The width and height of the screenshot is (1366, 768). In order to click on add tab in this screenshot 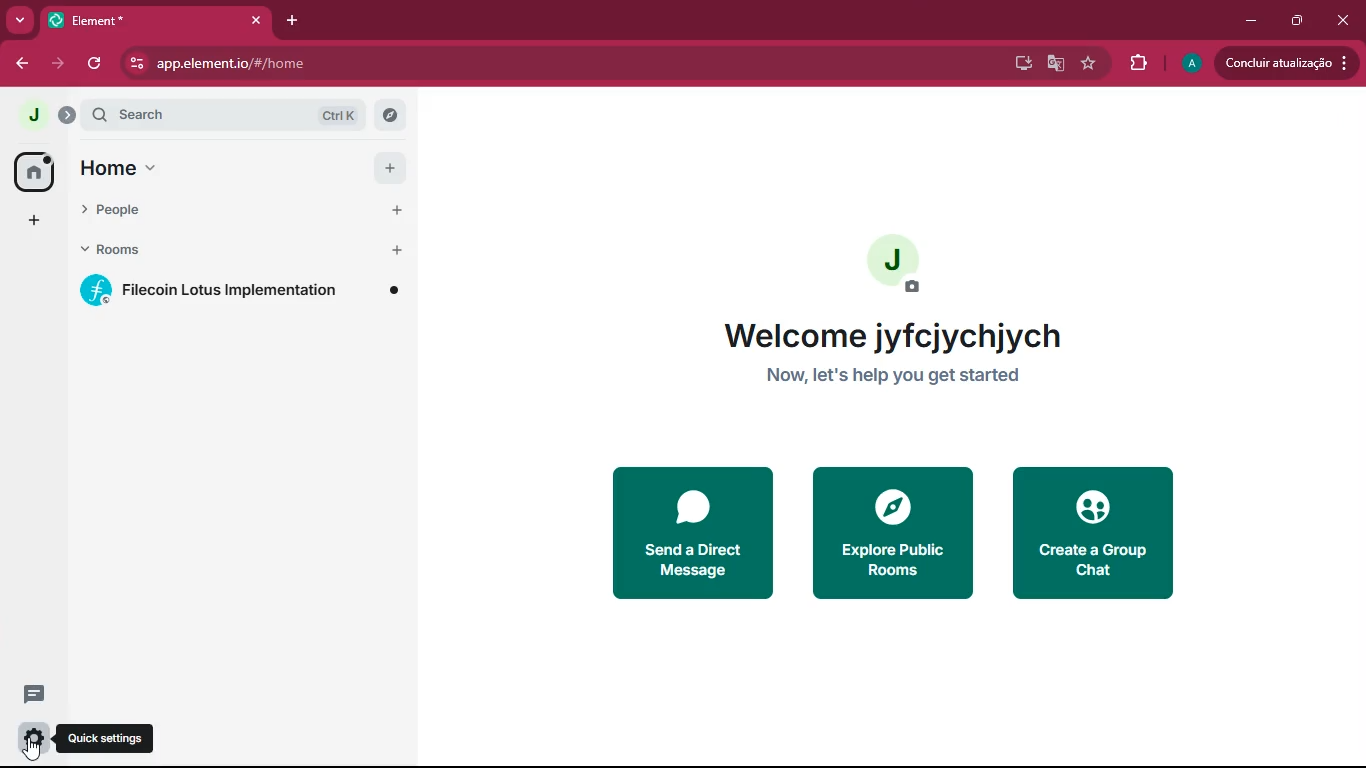, I will do `click(289, 21)`.